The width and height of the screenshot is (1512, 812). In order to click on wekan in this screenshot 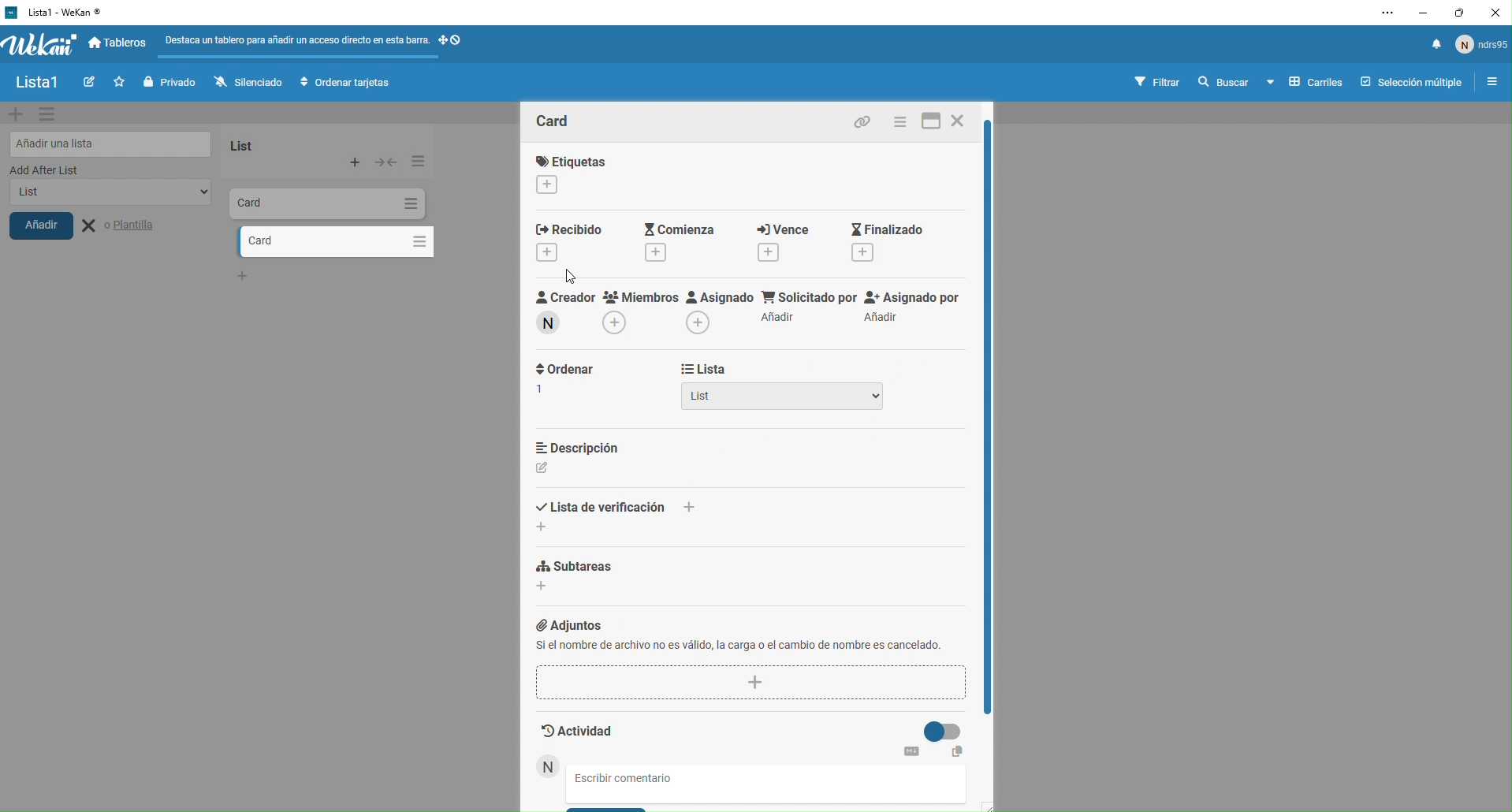, I will do `click(40, 46)`.